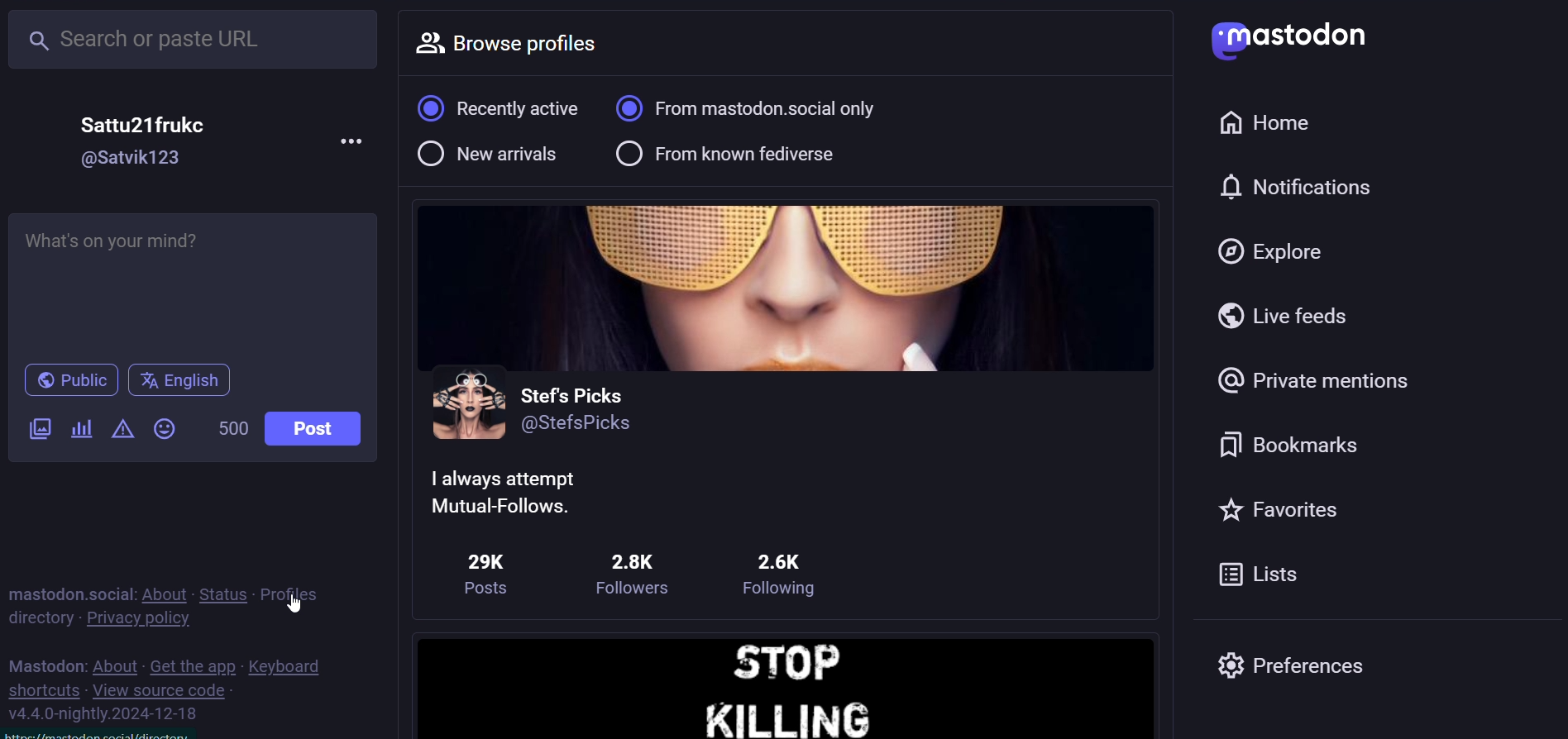 The image size is (1568, 739). What do you see at coordinates (574, 393) in the screenshot?
I see `user name` at bounding box center [574, 393].